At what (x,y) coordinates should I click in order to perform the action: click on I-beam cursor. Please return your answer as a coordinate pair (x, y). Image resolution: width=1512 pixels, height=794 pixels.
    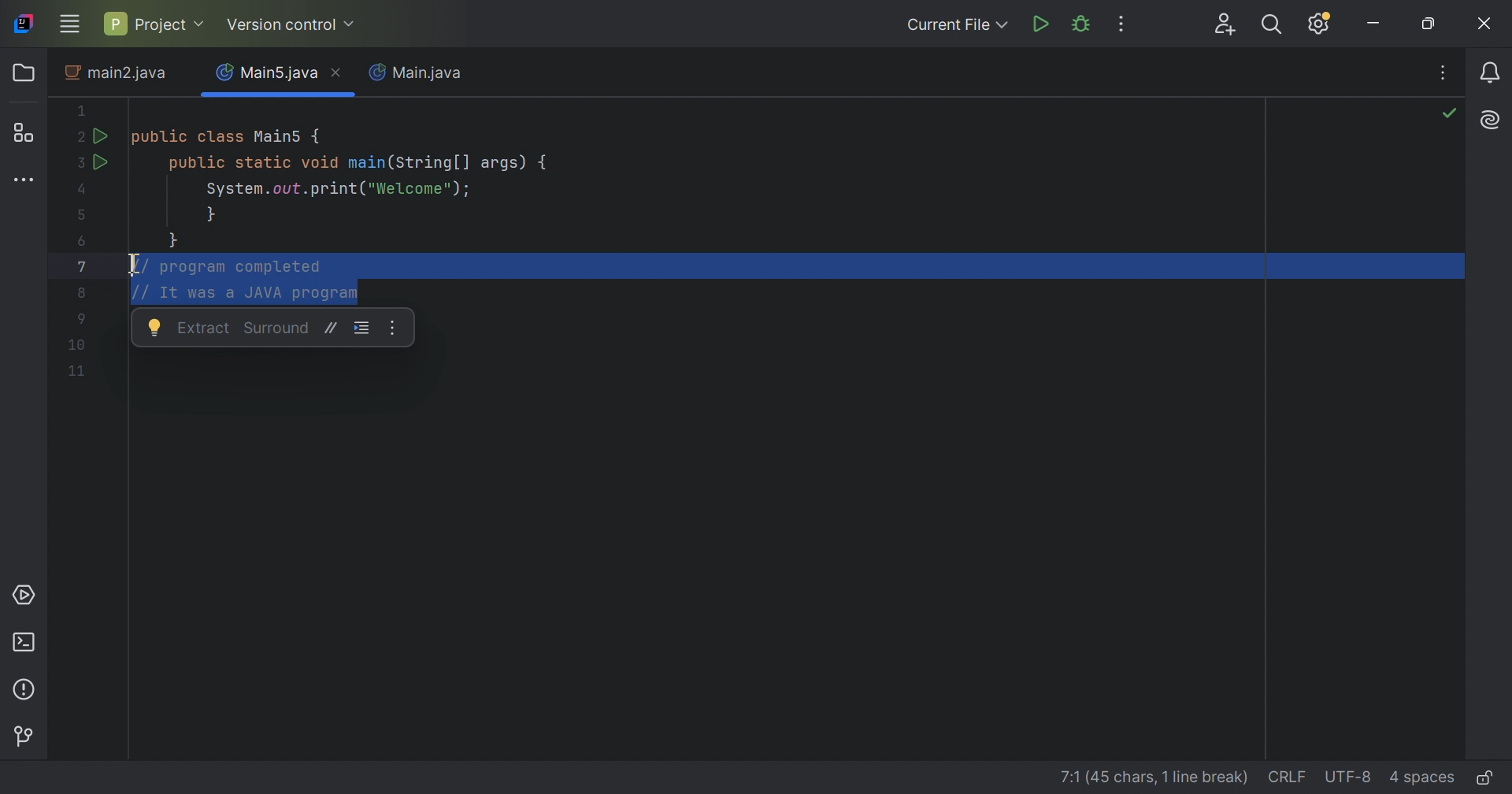
    Looking at the image, I should click on (131, 264).